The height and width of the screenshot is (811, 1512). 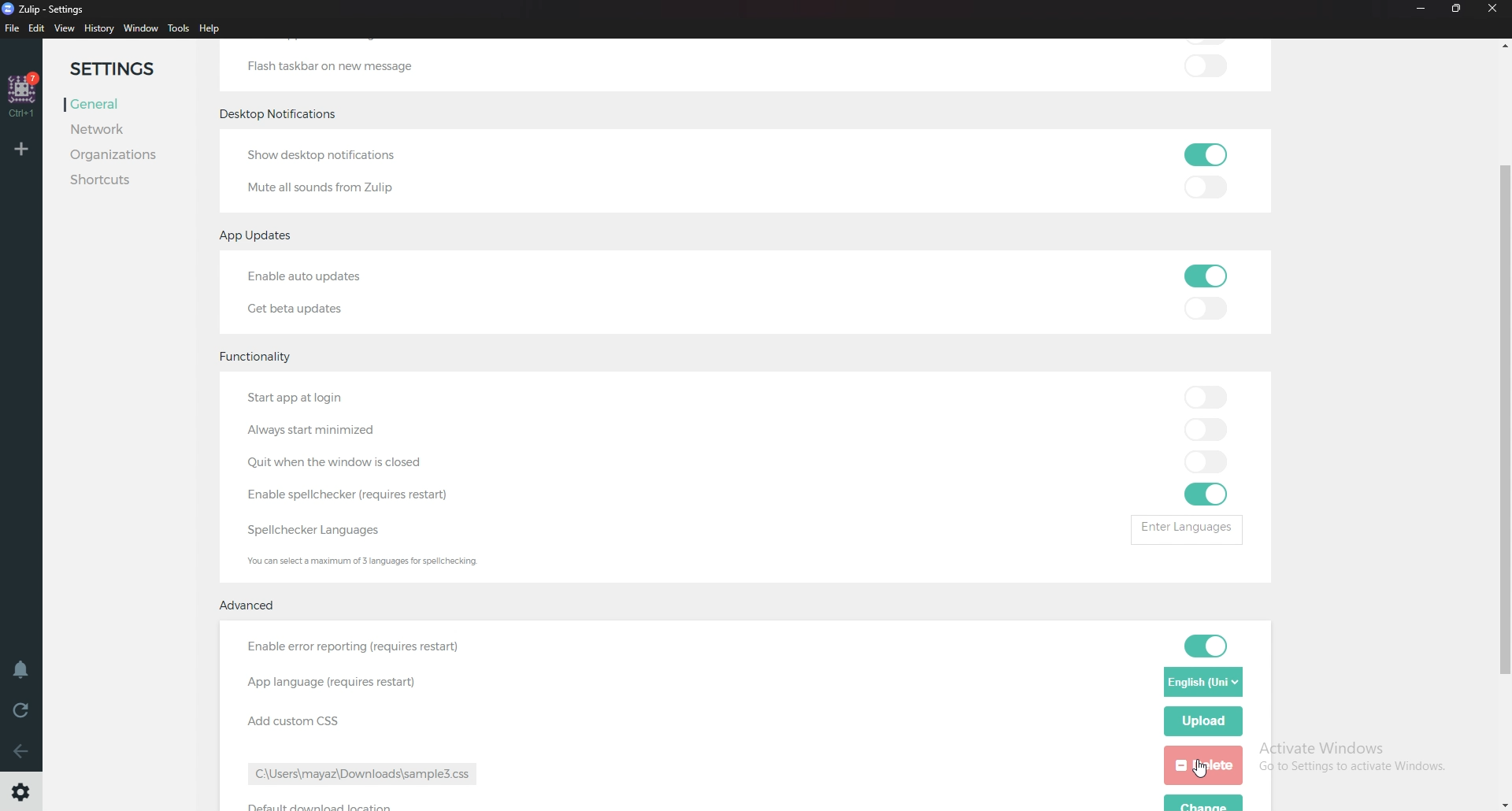 What do you see at coordinates (320, 530) in the screenshot?
I see `Spell checker languages` at bounding box center [320, 530].